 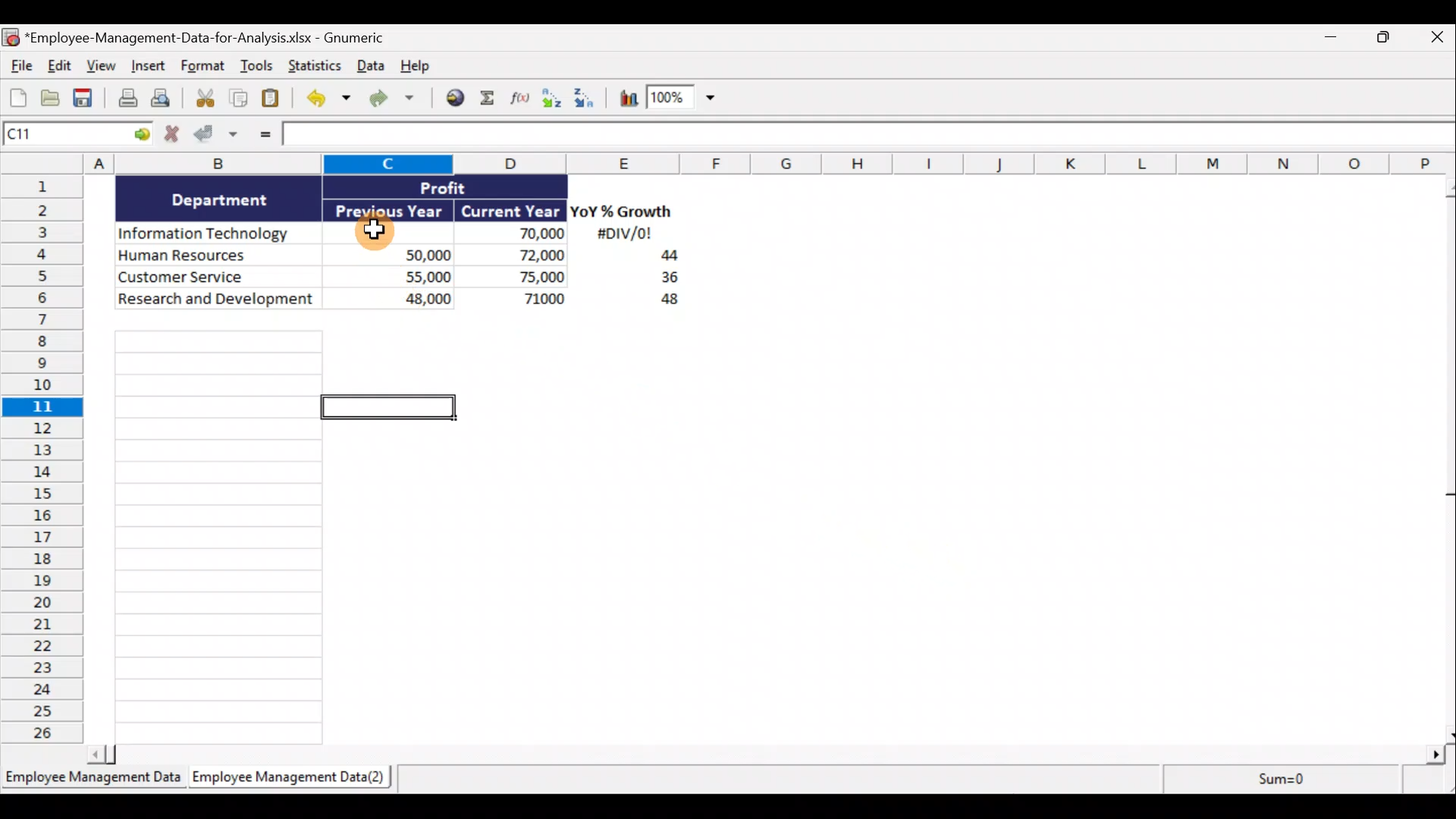 I want to click on Edit a function in the current cell, so click(x=521, y=97).